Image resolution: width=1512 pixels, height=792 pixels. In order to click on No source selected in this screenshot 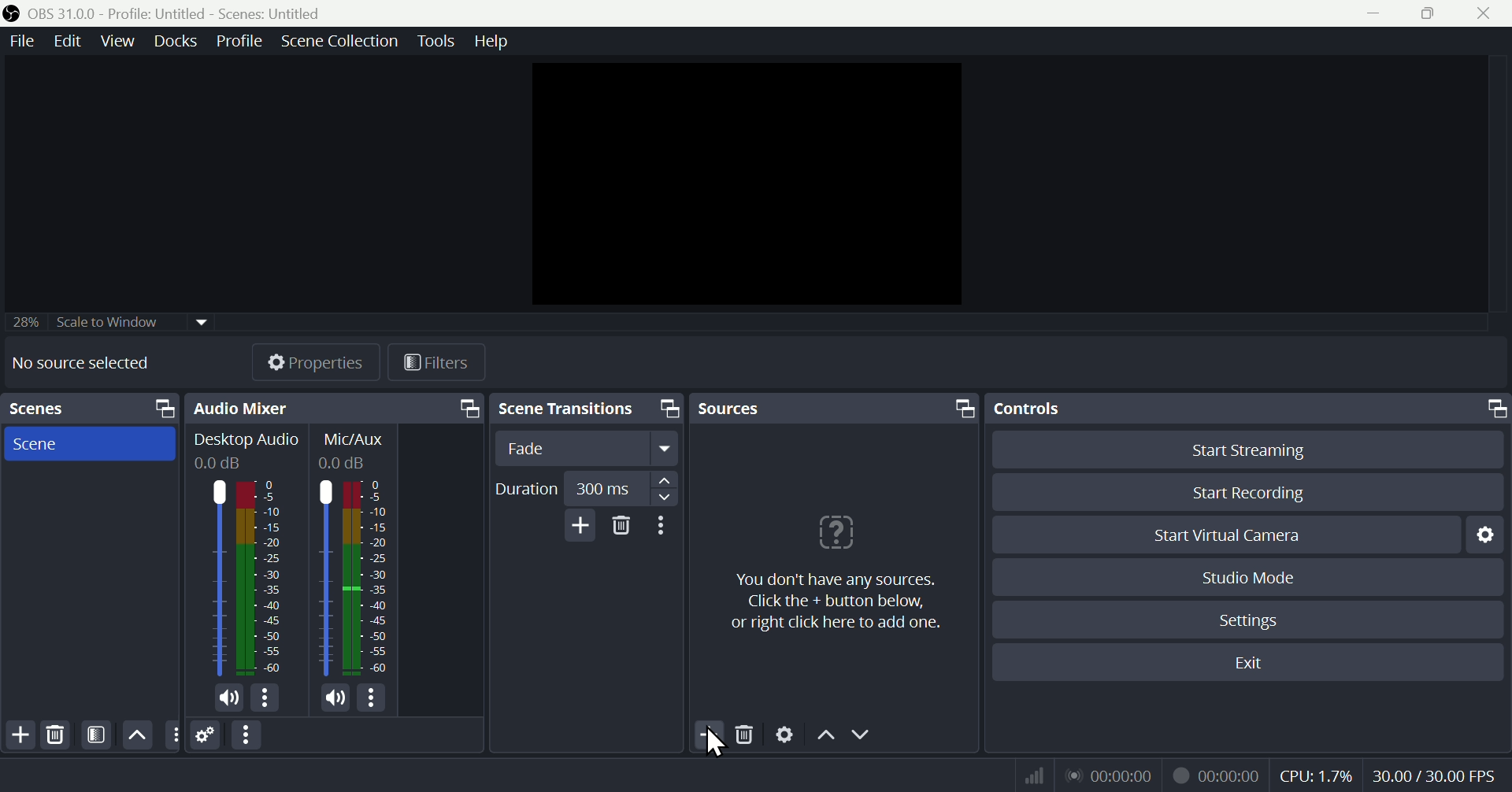, I will do `click(80, 362)`.